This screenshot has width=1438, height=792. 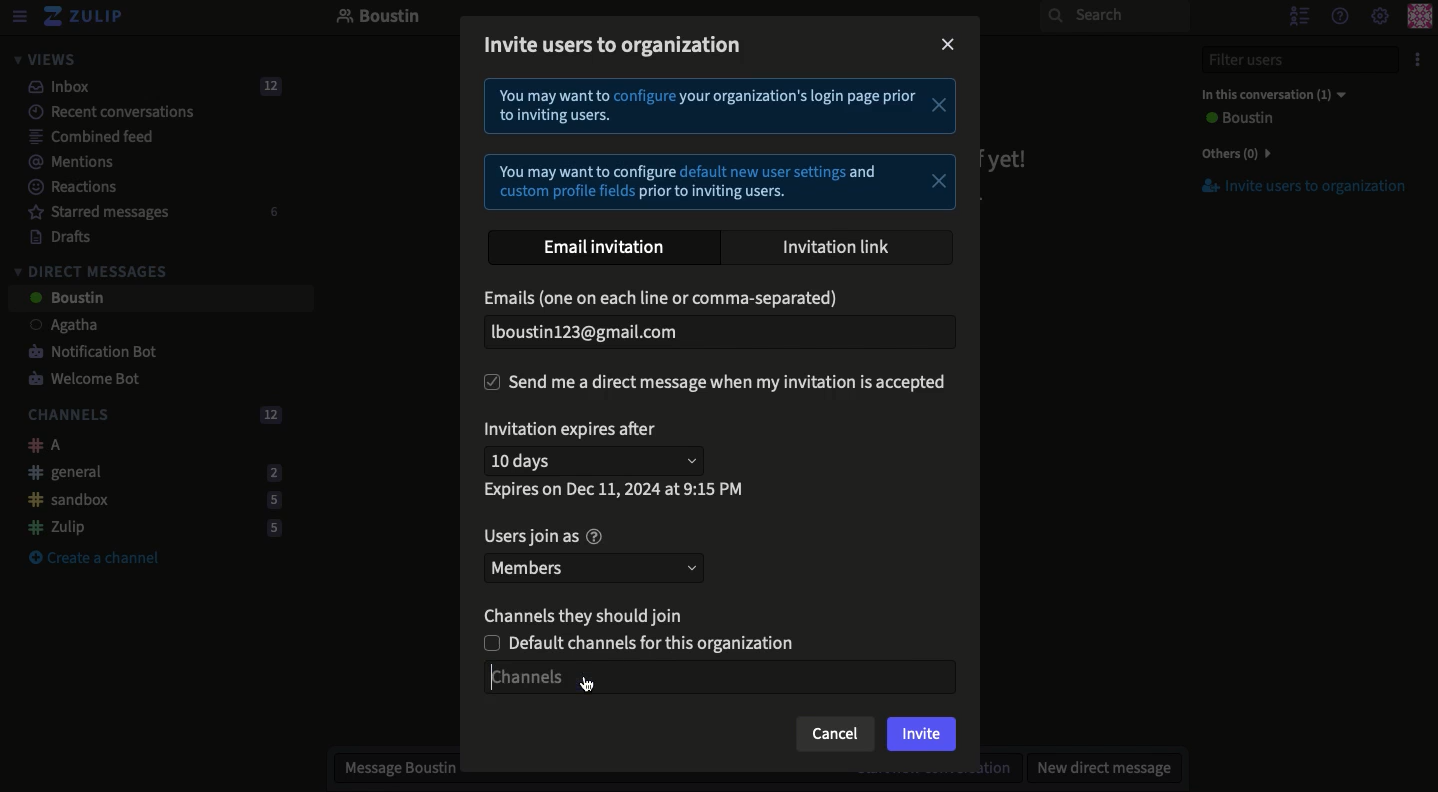 I want to click on cursor, so click(x=593, y=684).